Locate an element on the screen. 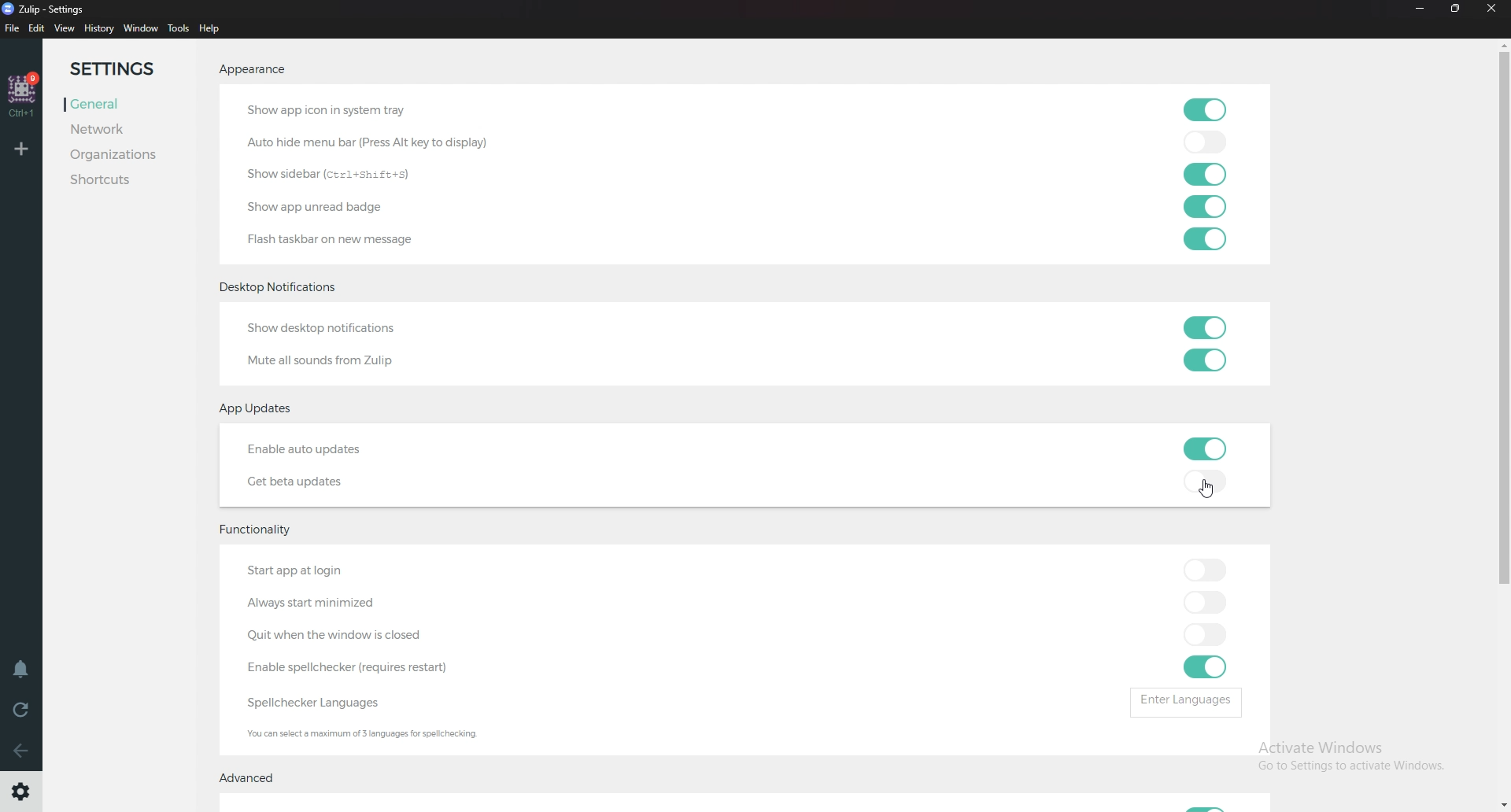 Image resolution: width=1511 pixels, height=812 pixels. Show app unread badge is located at coordinates (322, 206).